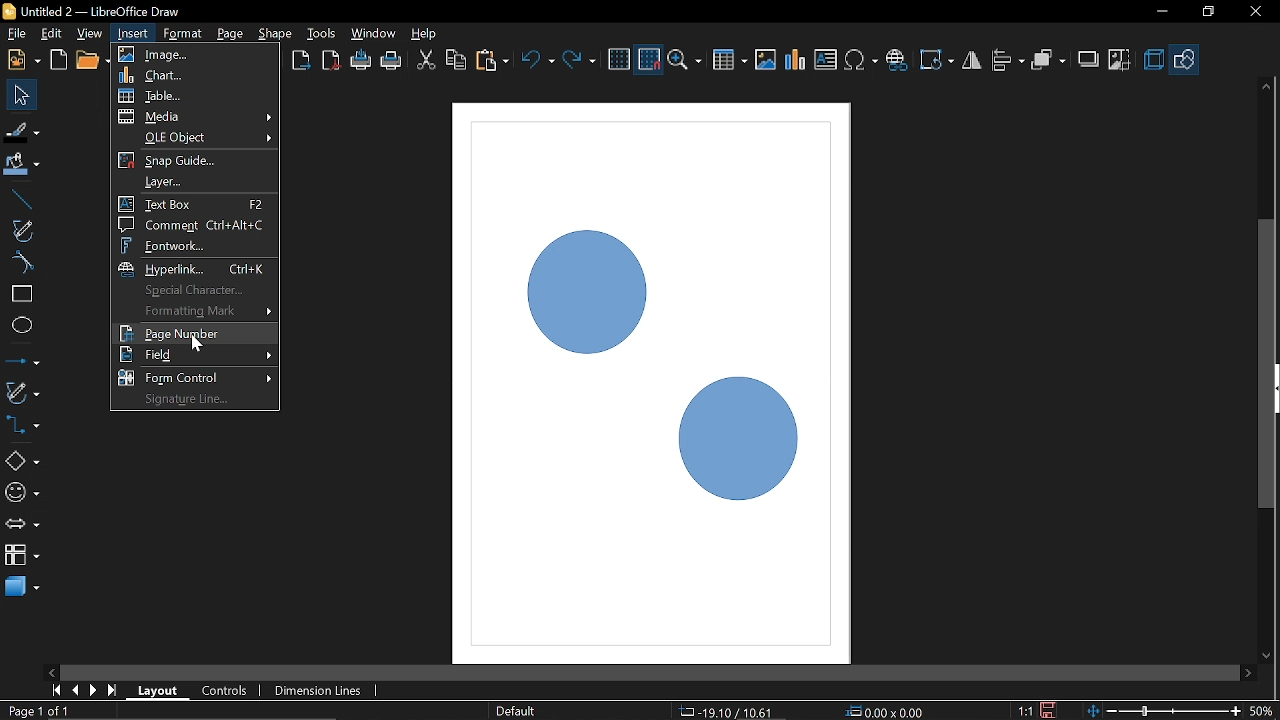 Image resolution: width=1280 pixels, height=720 pixels. I want to click on Form control, so click(194, 377).